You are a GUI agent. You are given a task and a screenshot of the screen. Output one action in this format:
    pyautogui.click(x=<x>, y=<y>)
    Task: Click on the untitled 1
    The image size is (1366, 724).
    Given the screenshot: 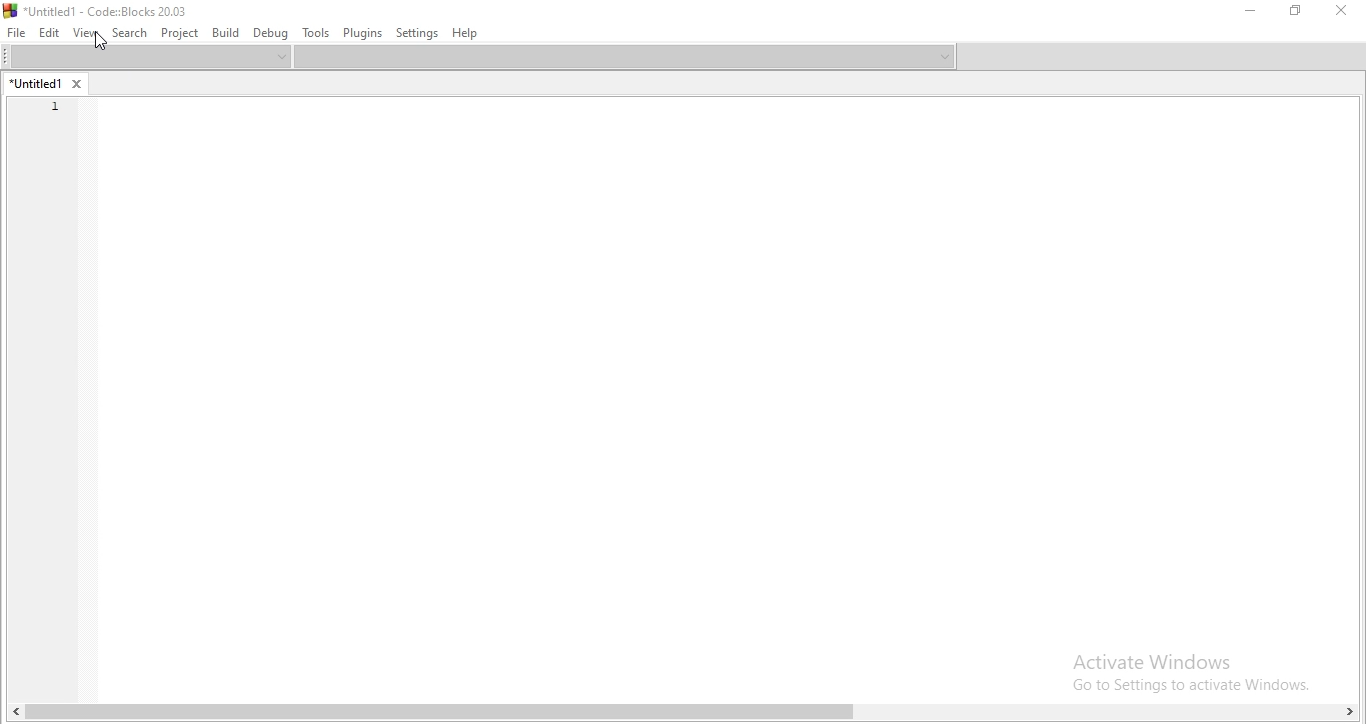 What is the action you would take?
    pyautogui.click(x=45, y=81)
    